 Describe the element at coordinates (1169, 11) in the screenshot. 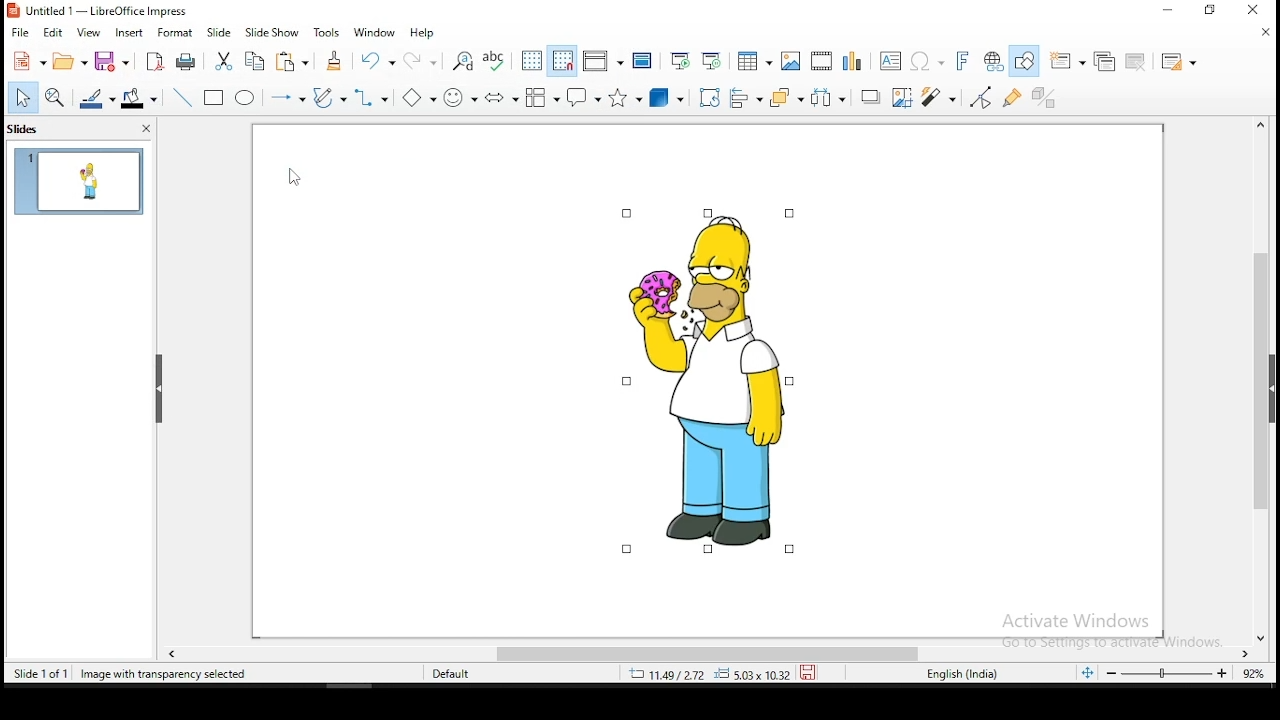

I see `minimize` at that location.